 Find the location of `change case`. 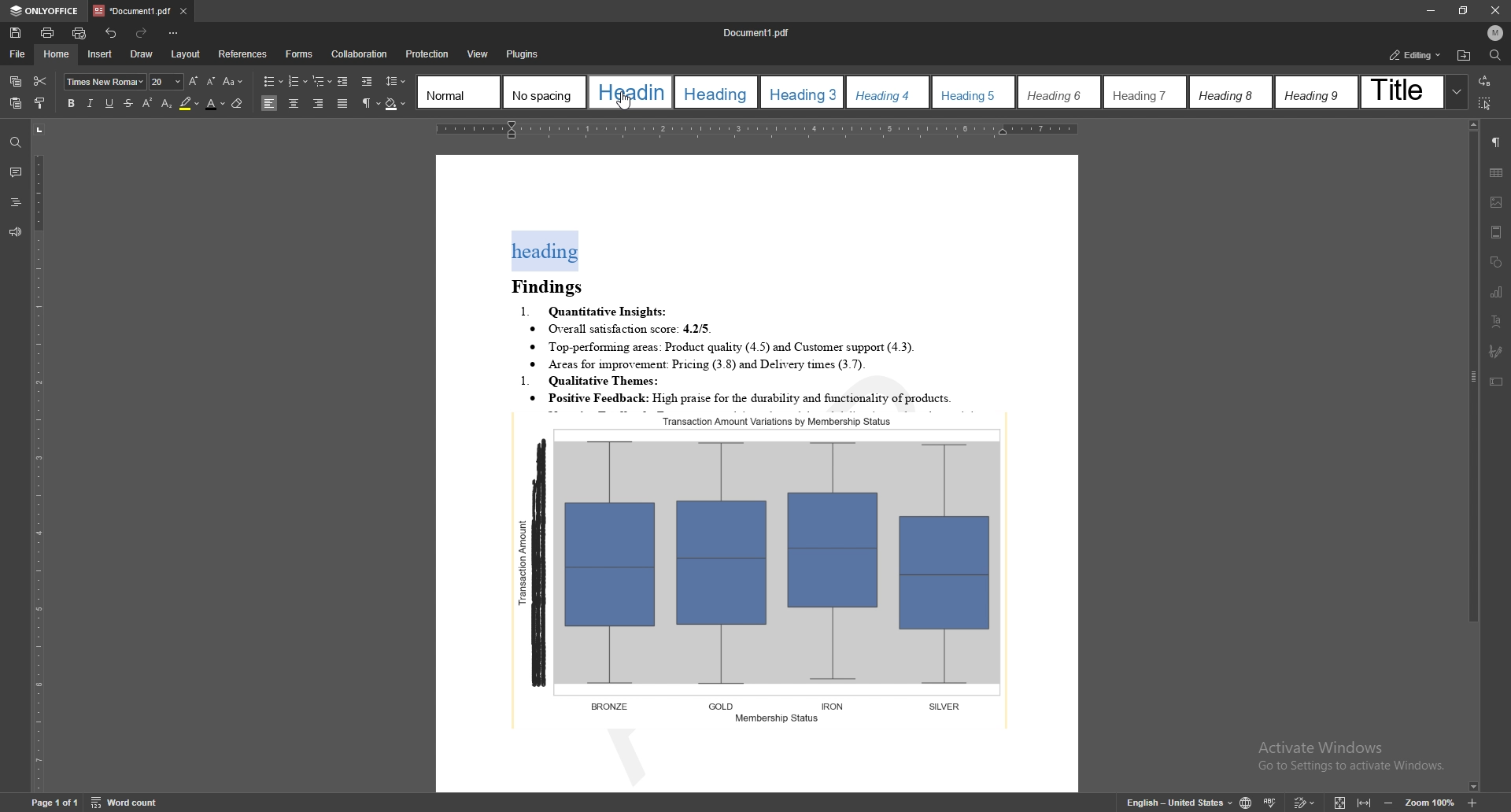

change case is located at coordinates (233, 82).